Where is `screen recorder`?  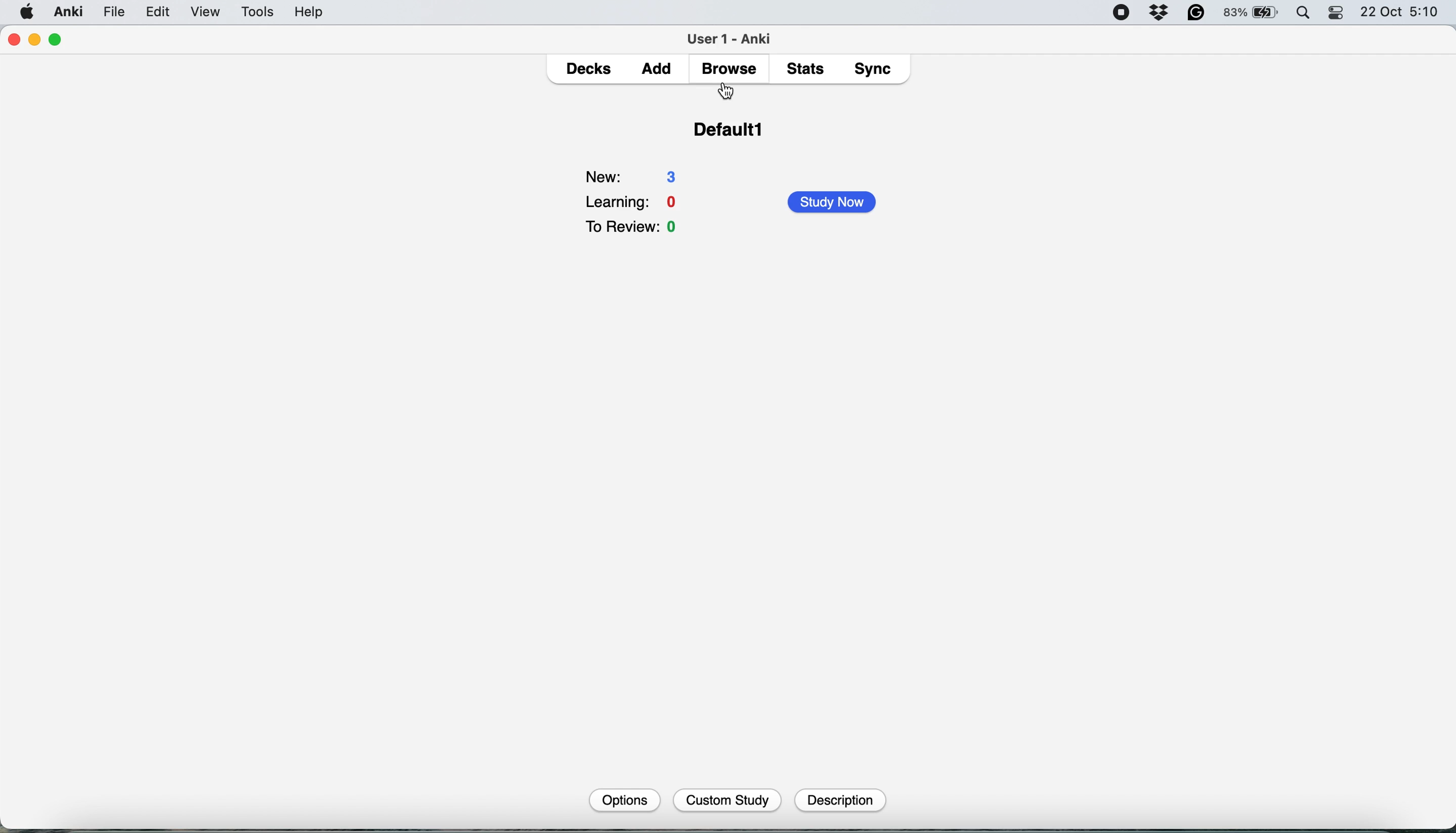 screen recorder is located at coordinates (1121, 14).